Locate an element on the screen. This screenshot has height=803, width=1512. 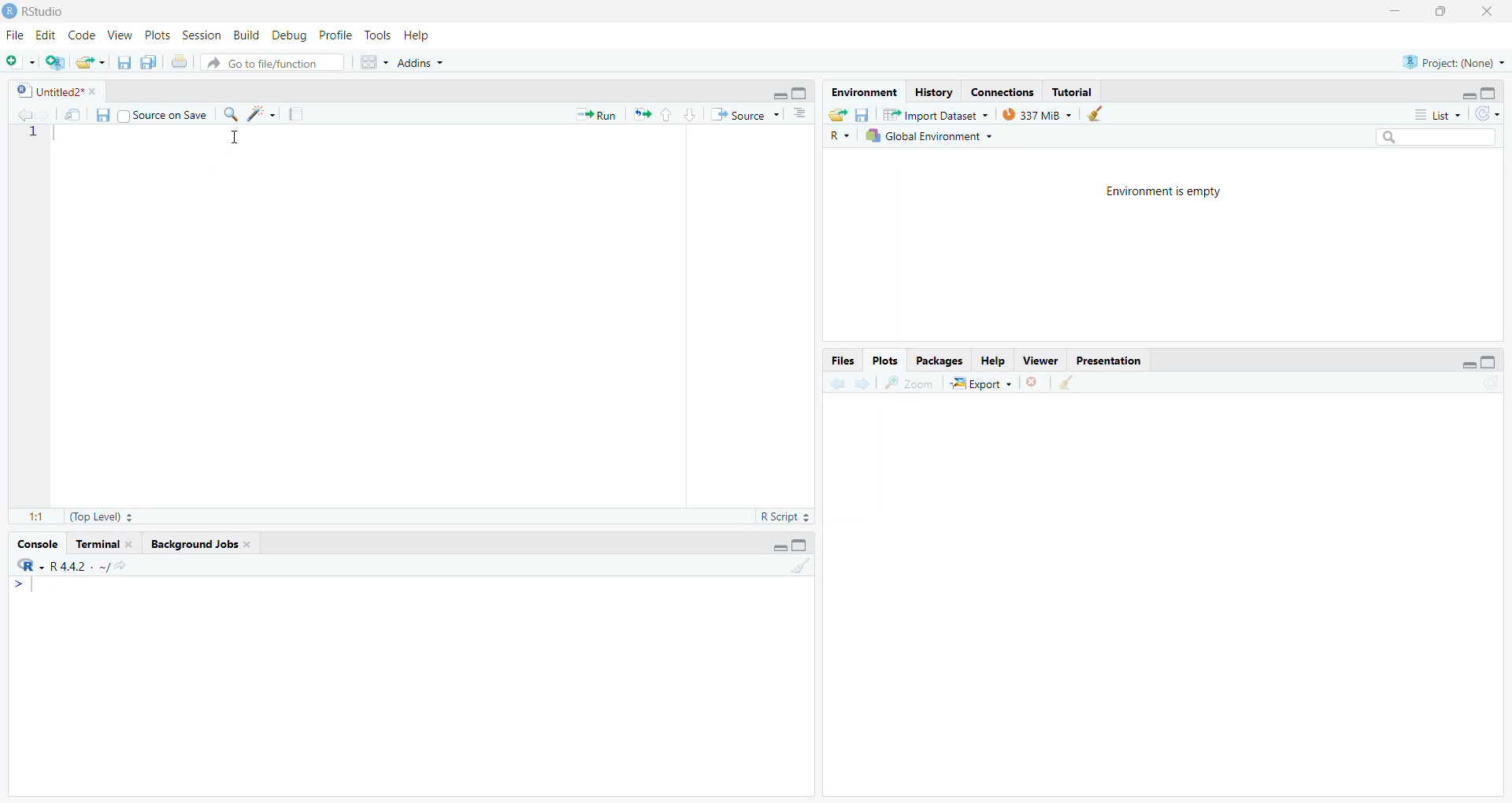
zoom is located at coordinates (910, 383).